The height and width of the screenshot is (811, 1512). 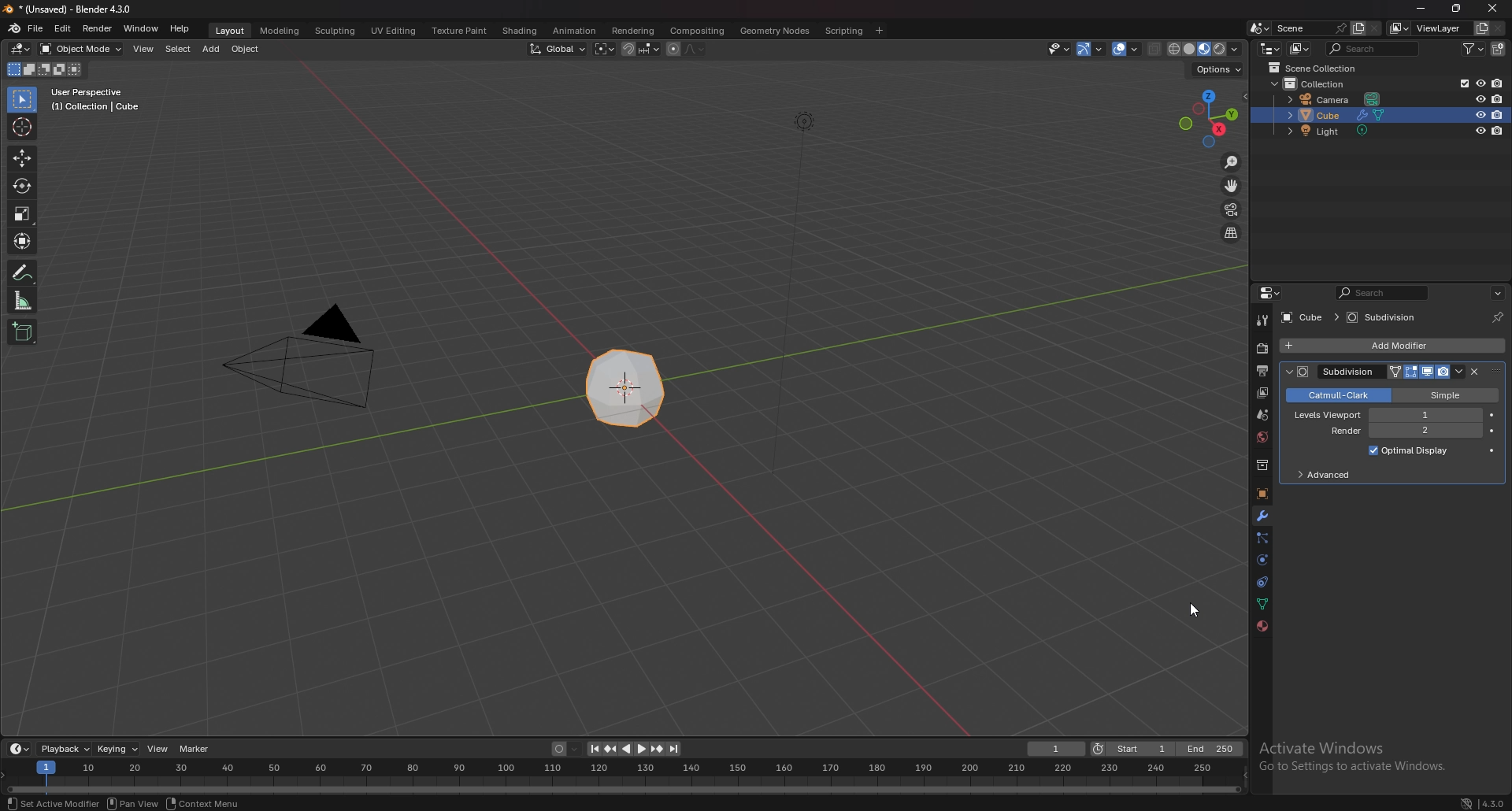 I want to click on options, so click(x=1218, y=69).